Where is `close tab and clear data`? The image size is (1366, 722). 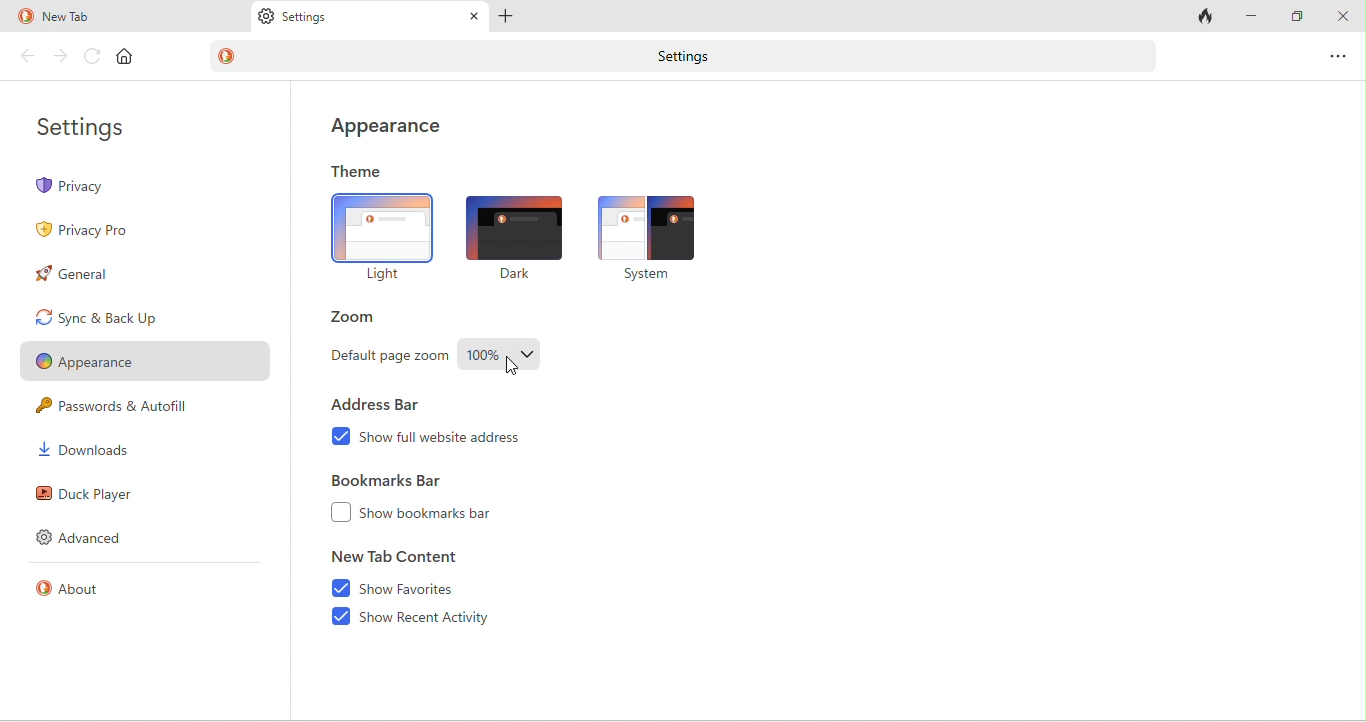
close tab and clear data is located at coordinates (1206, 16).